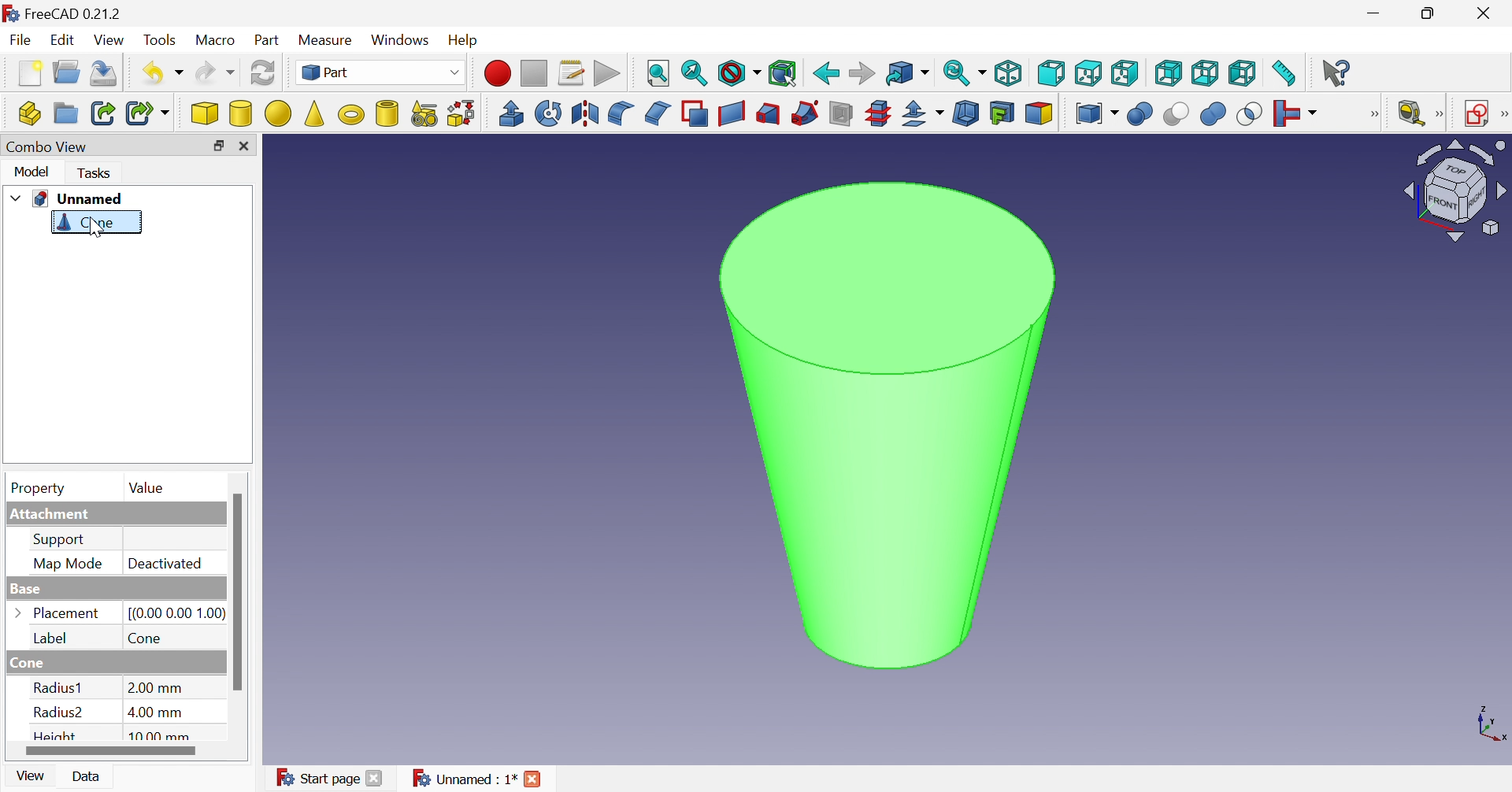  I want to click on Execute macro, so click(607, 73).